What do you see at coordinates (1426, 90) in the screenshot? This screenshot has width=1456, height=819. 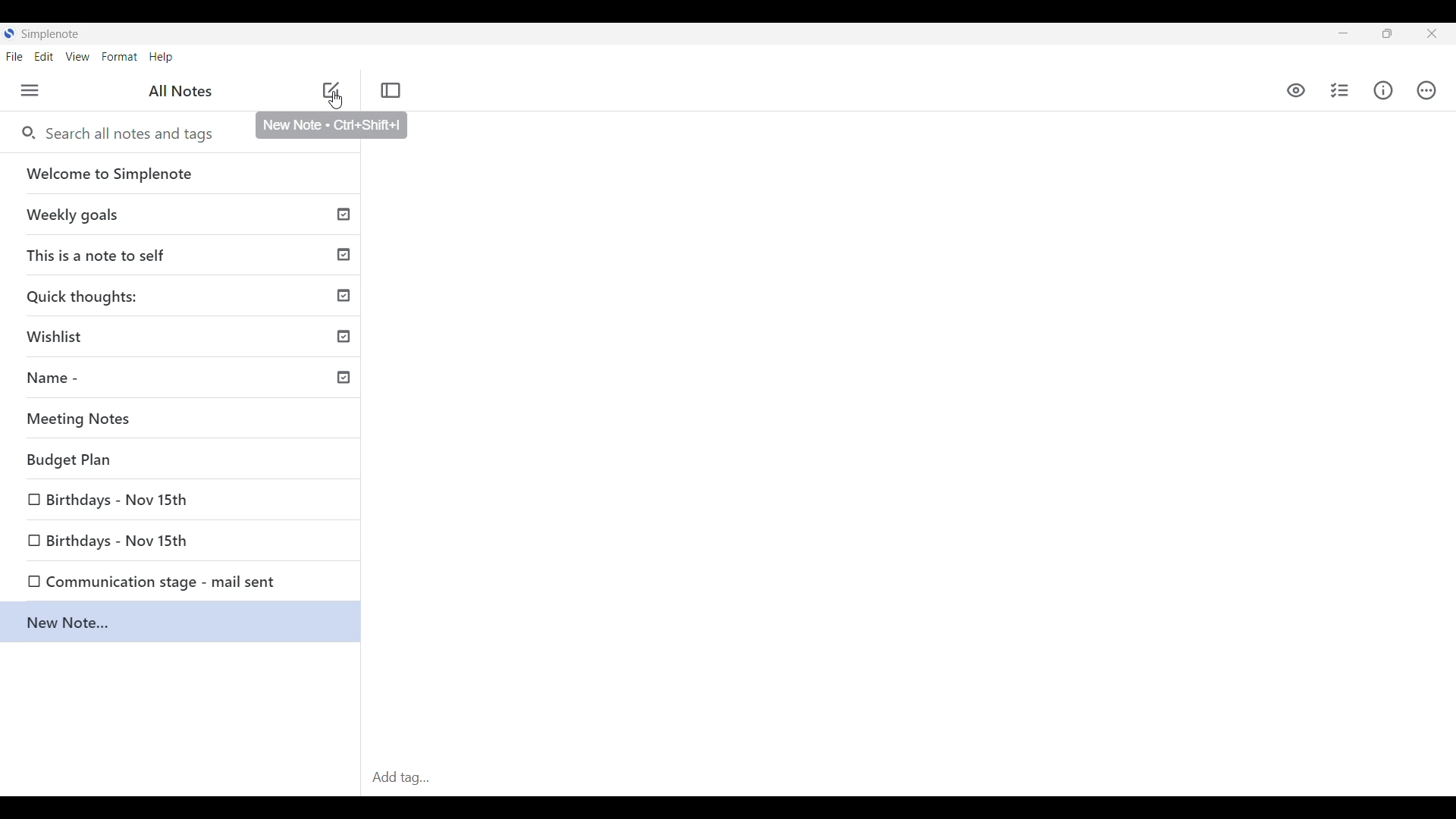 I see `Actions` at bounding box center [1426, 90].